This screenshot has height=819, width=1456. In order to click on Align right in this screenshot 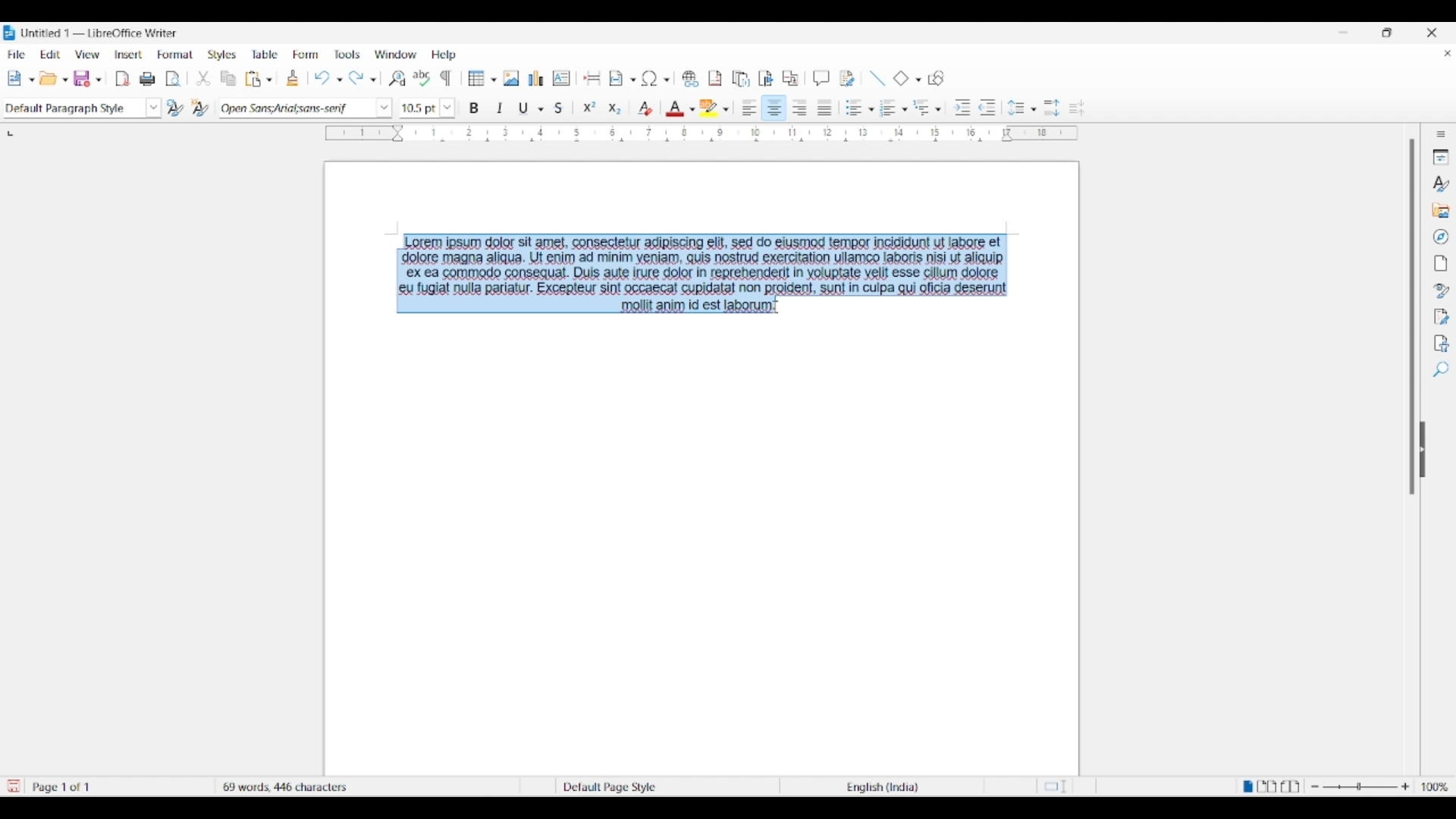, I will do `click(800, 107)`.